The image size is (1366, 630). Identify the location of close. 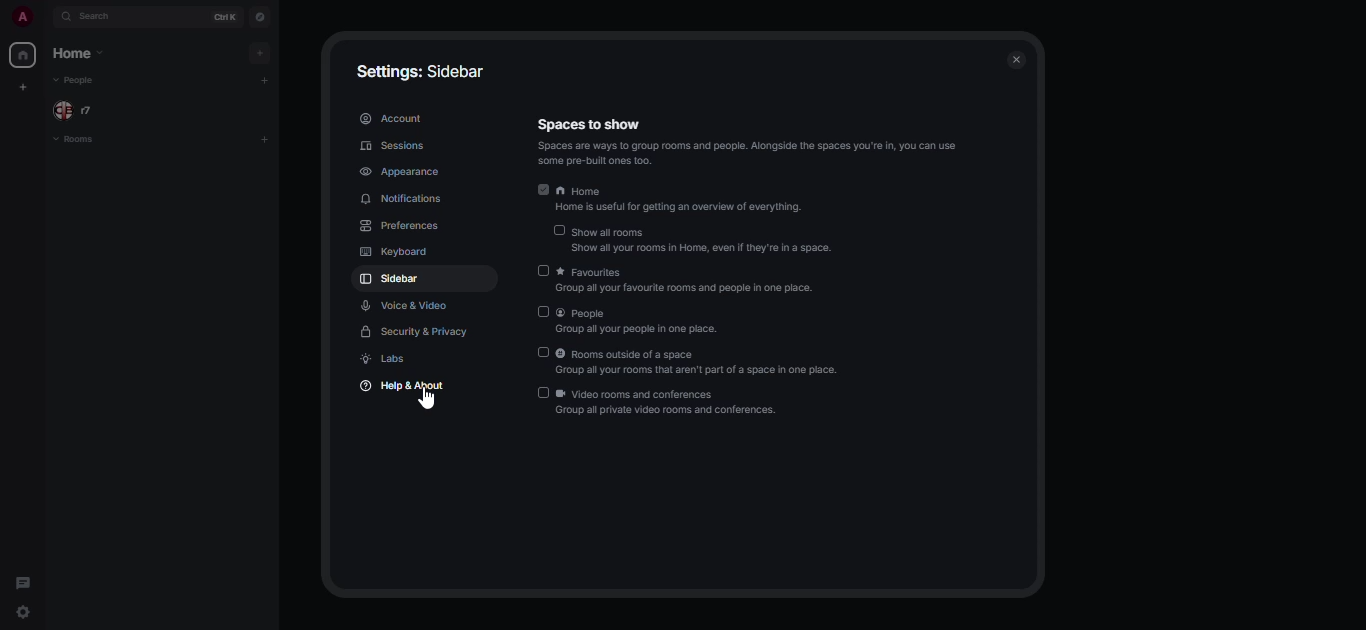
(1014, 61).